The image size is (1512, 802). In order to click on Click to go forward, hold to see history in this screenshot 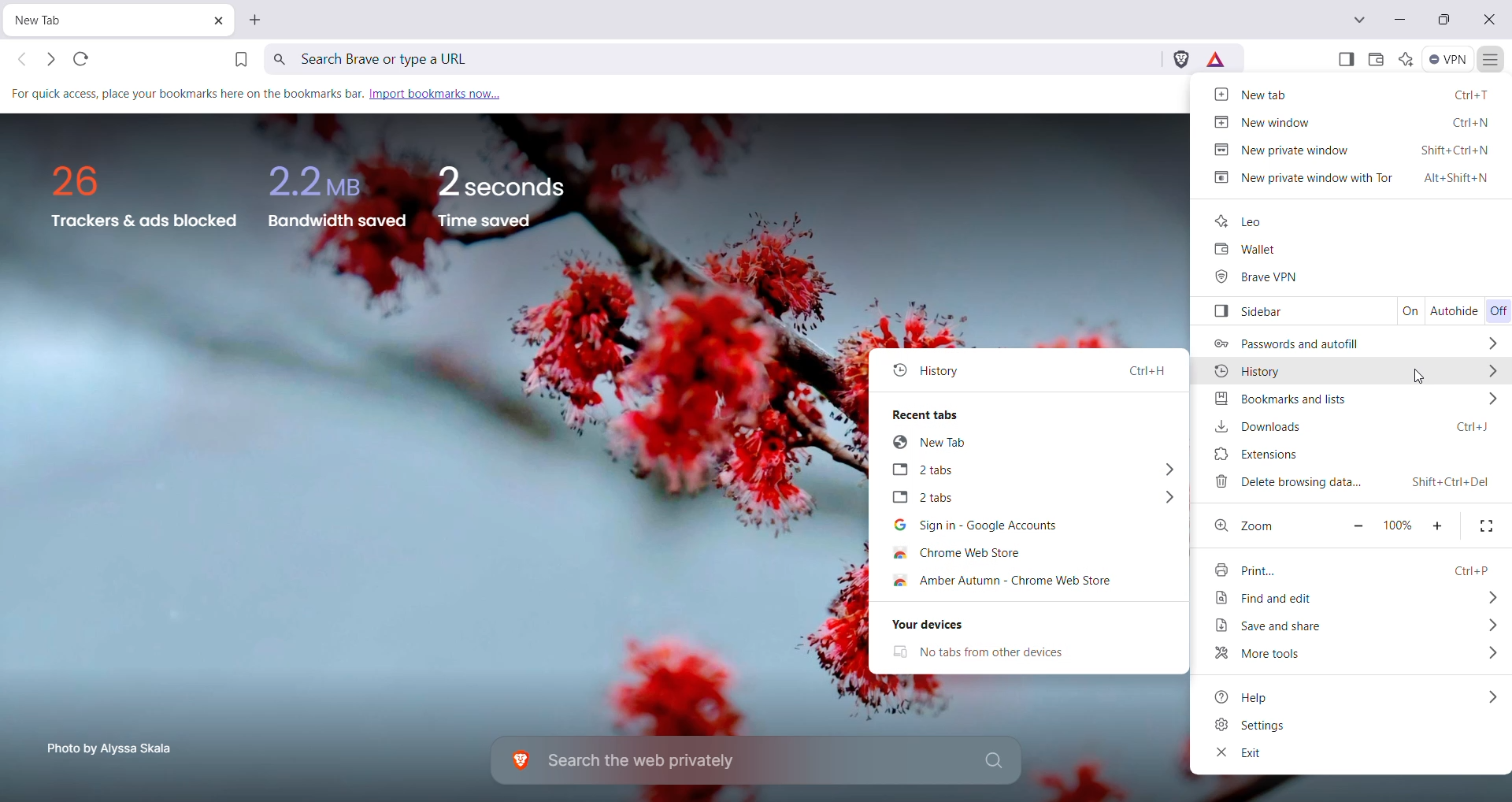, I will do `click(52, 60)`.